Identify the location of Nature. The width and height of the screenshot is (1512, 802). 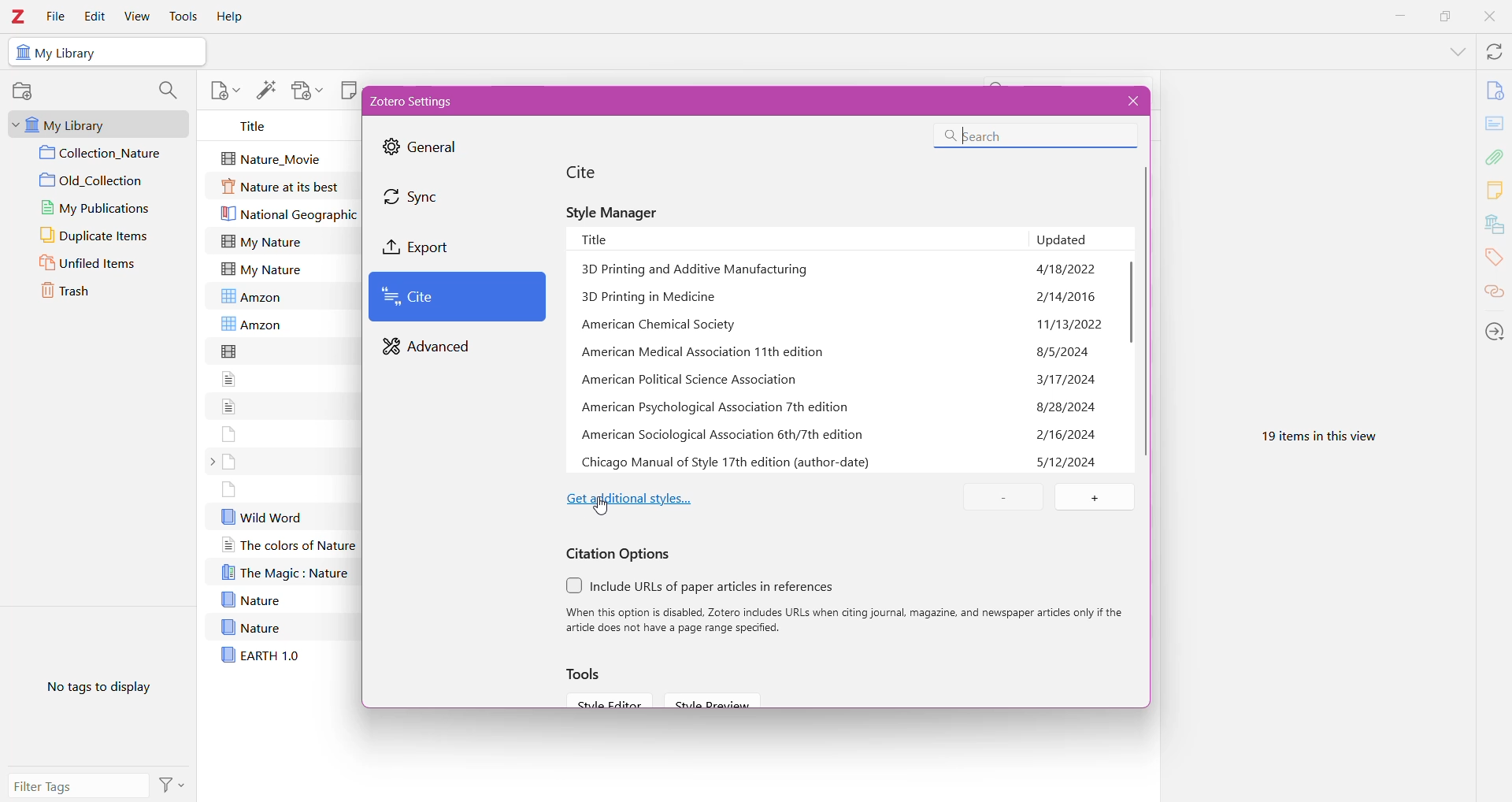
(250, 600).